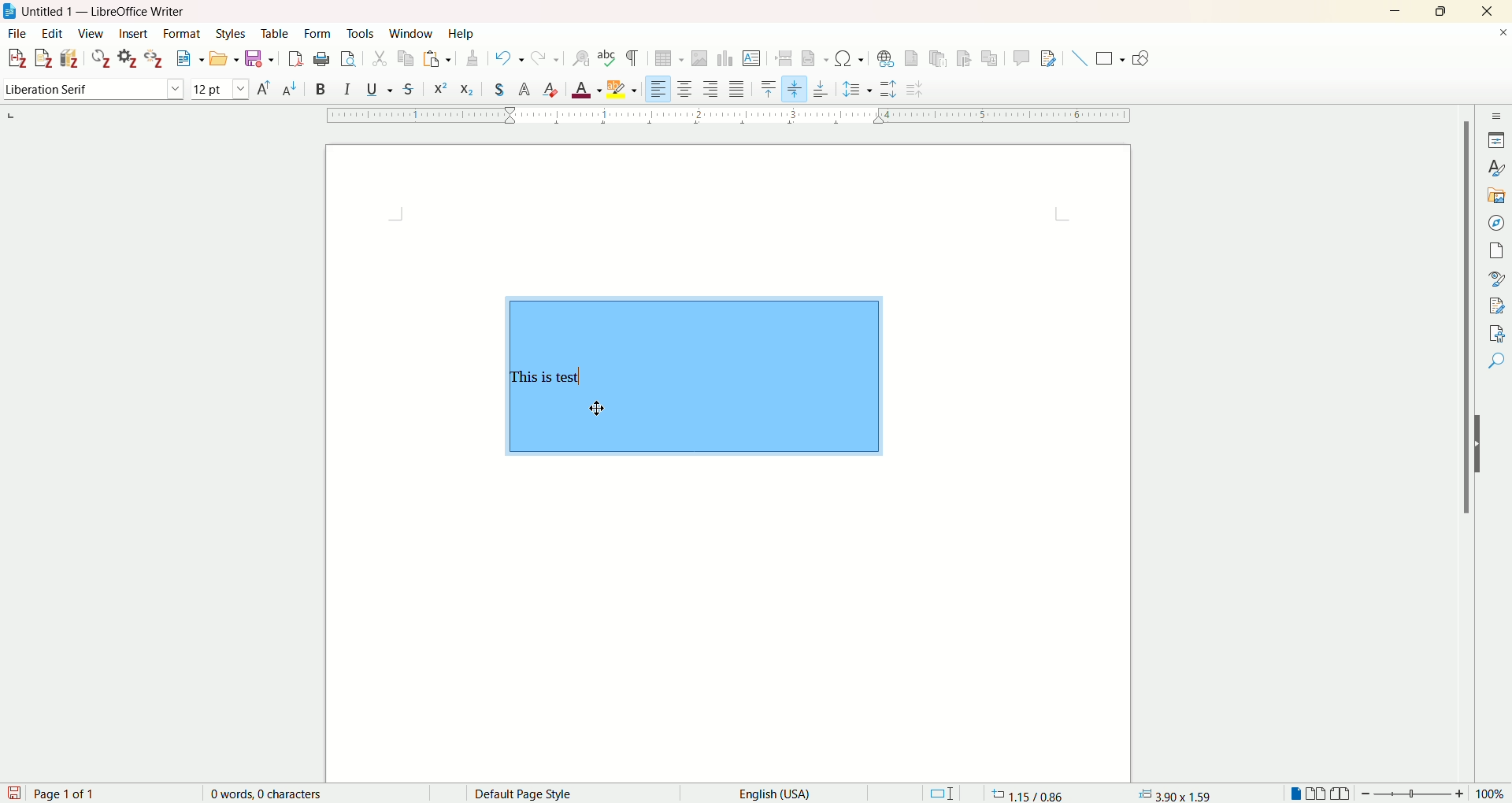 The height and width of the screenshot is (803, 1512). Describe the element at coordinates (636, 87) in the screenshot. I see `line color` at that location.